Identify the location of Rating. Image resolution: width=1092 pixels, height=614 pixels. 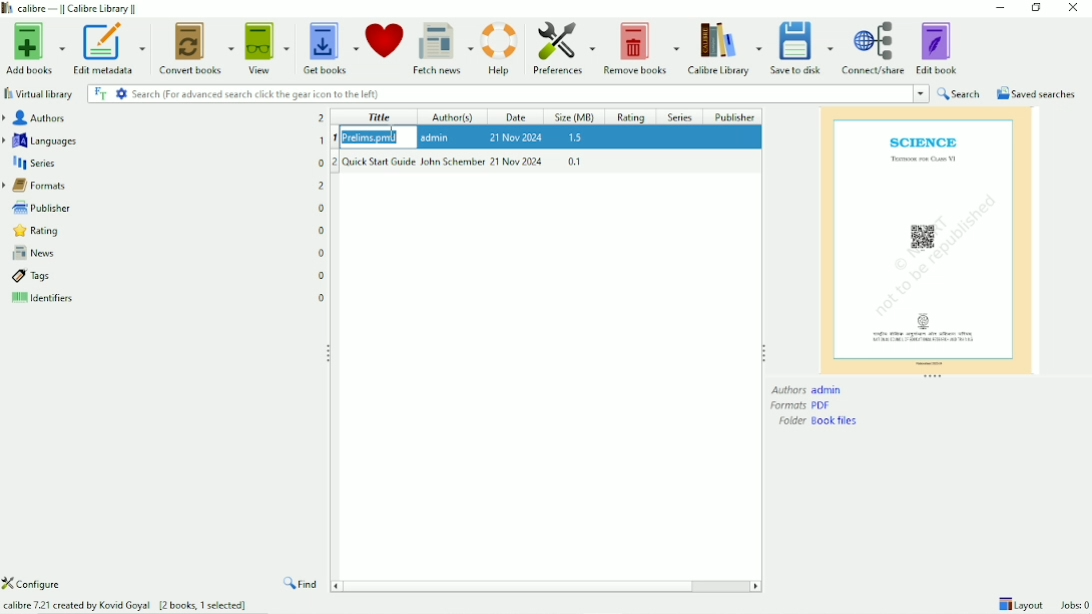
(33, 231).